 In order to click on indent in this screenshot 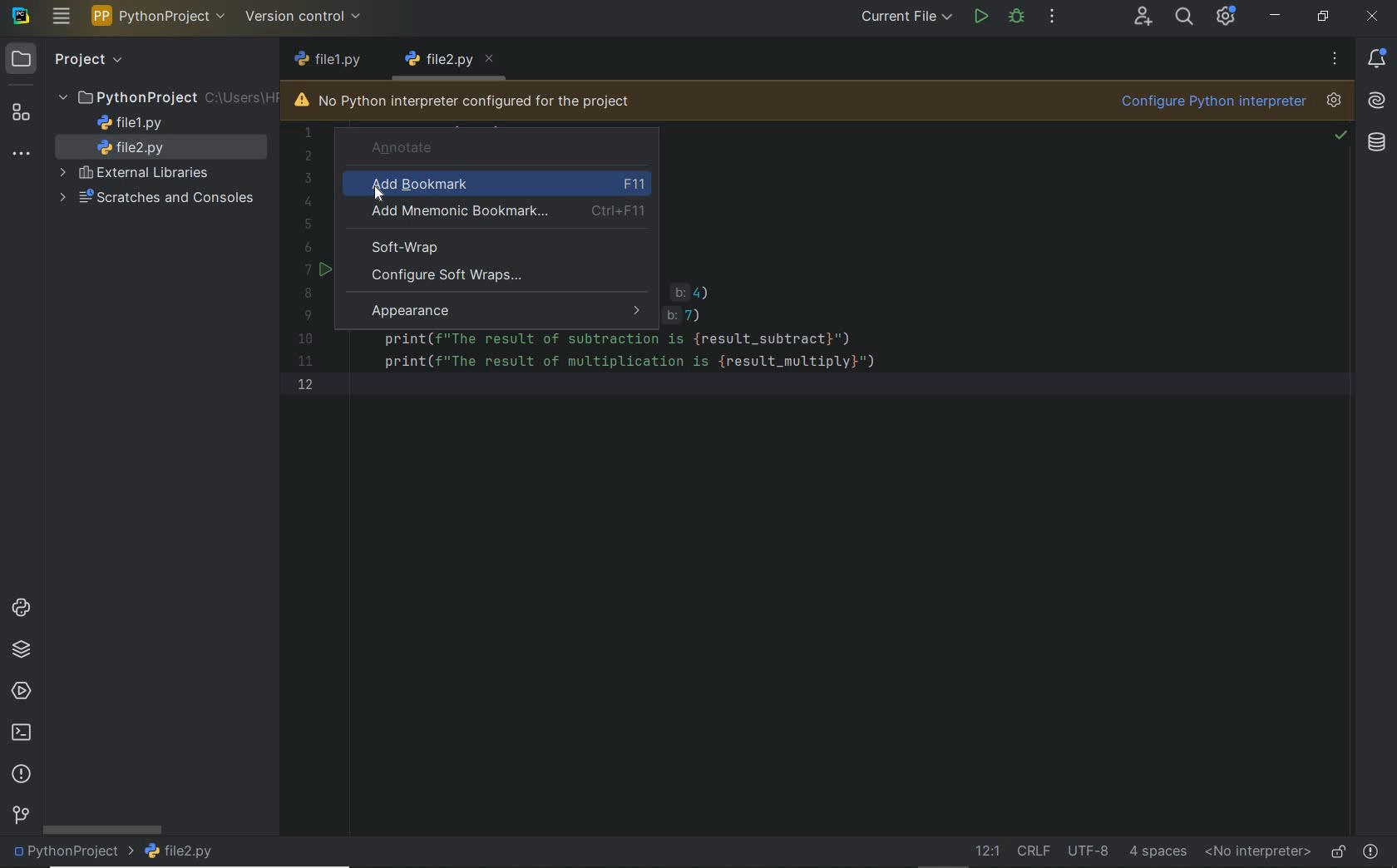, I will do `click(1157, 851)`.